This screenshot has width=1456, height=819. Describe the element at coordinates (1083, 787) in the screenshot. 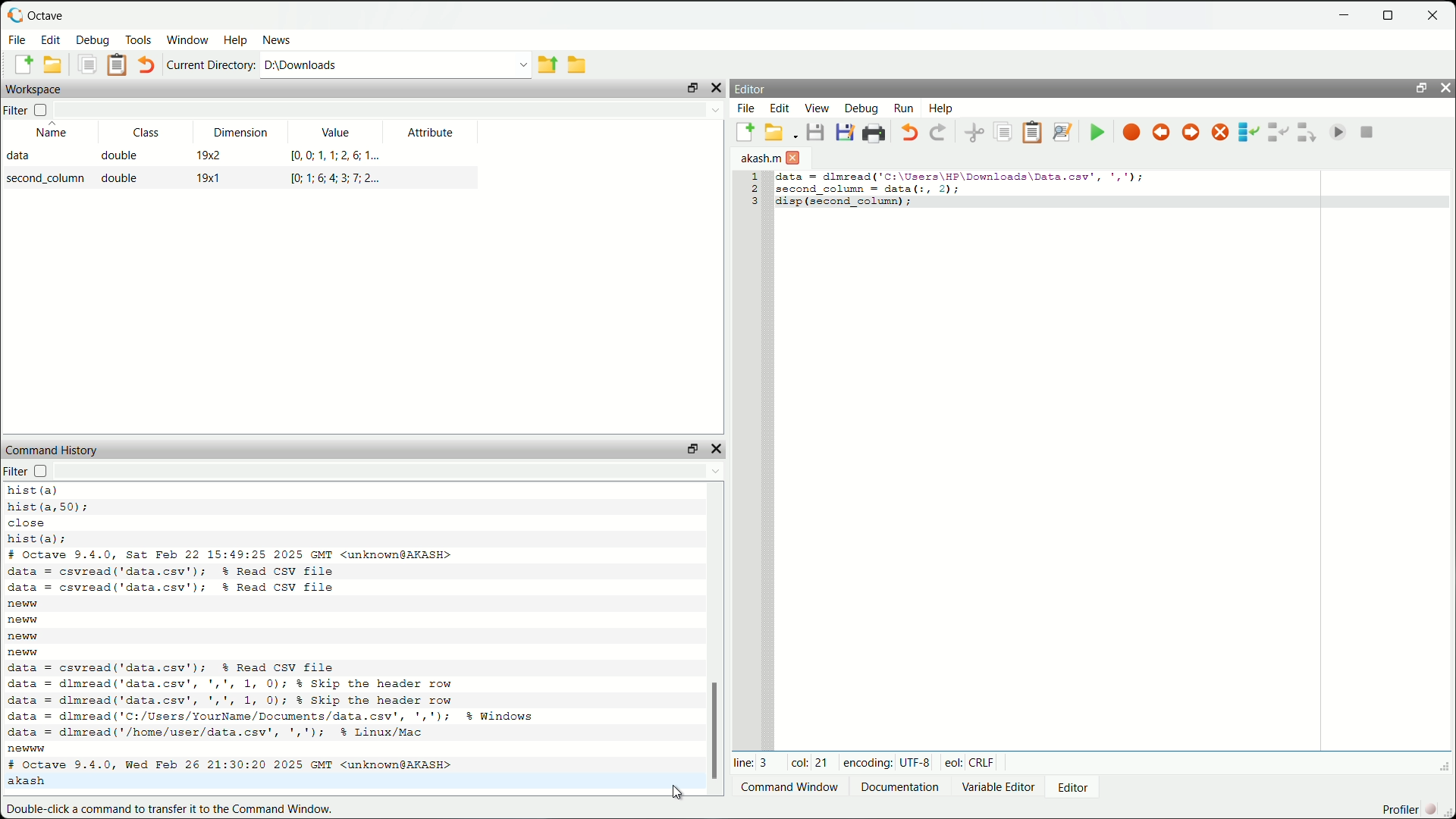

I see `editor` at that location.